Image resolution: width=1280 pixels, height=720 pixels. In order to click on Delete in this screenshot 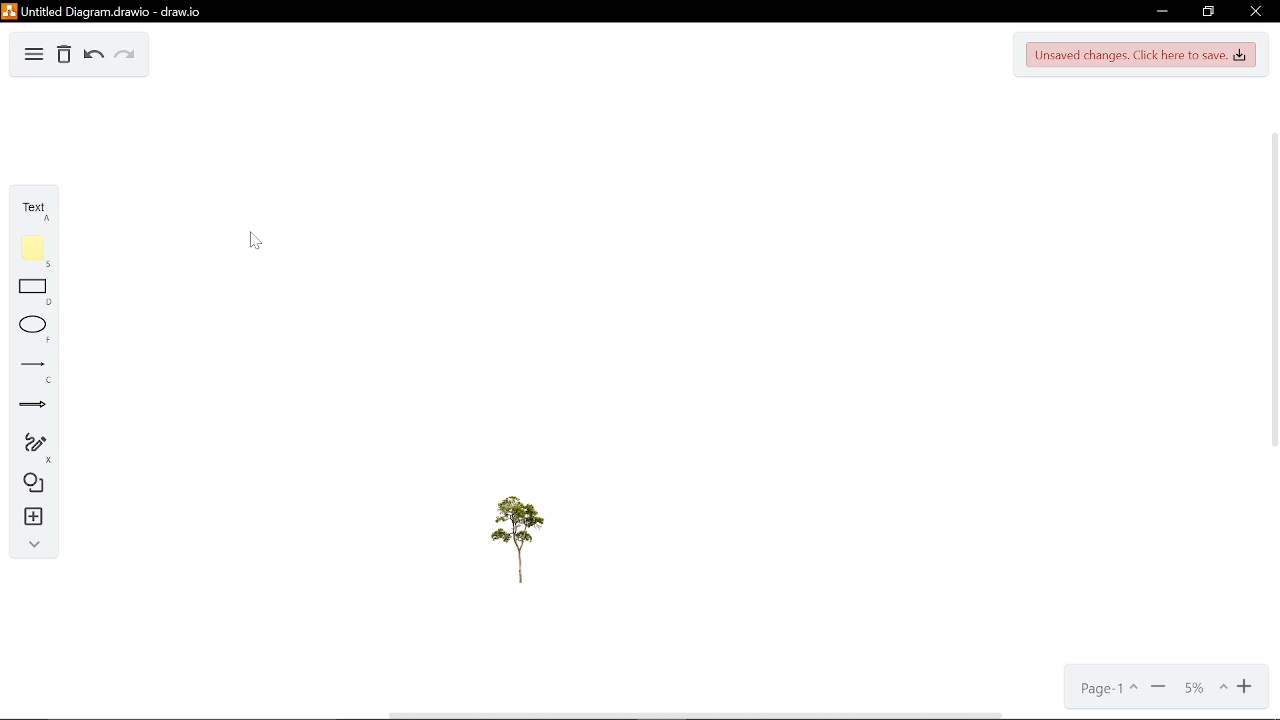, I will do `click(62, 58)`.